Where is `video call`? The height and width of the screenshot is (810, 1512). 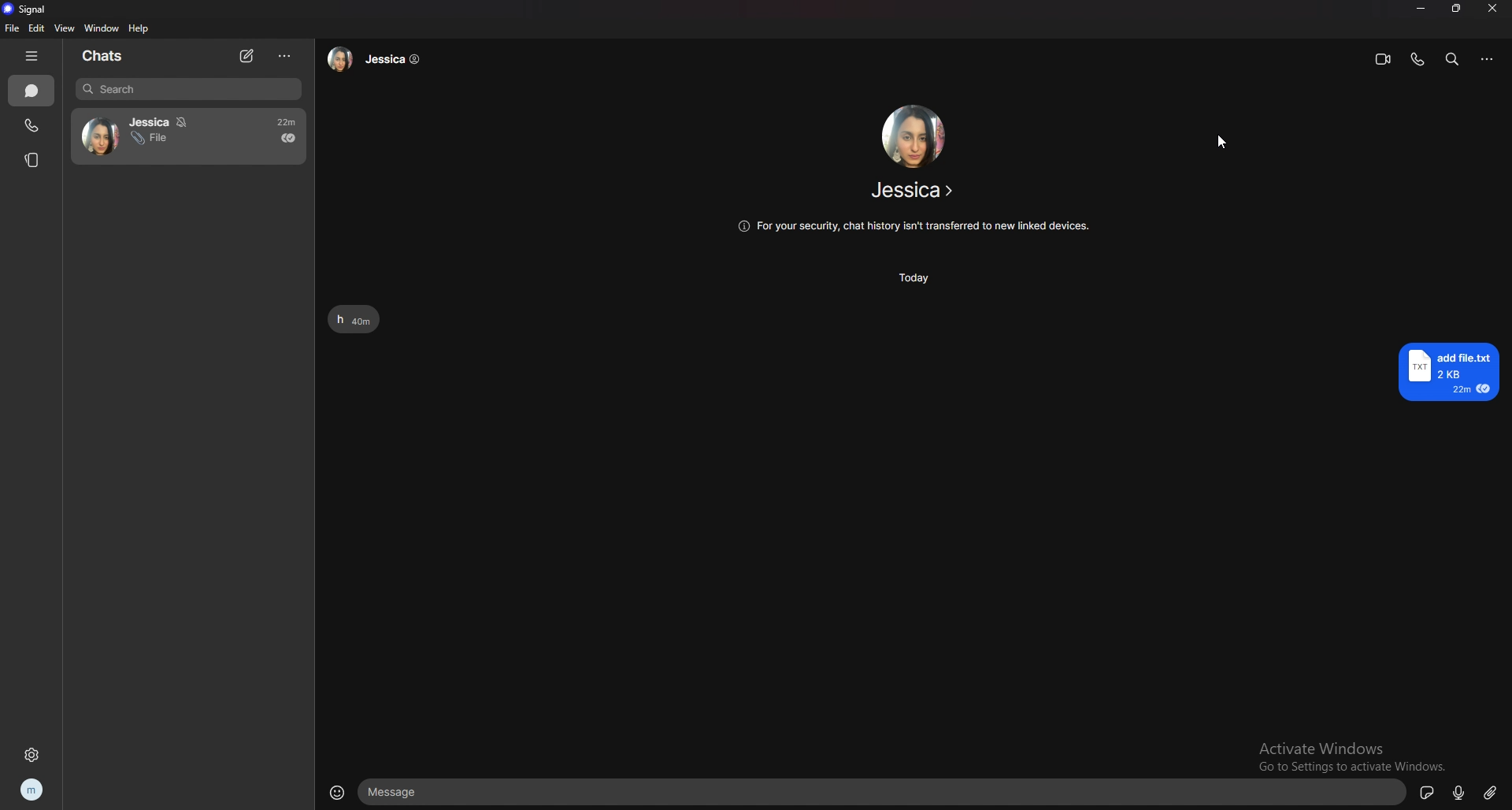 video call is located at coordinates (1384, 59).